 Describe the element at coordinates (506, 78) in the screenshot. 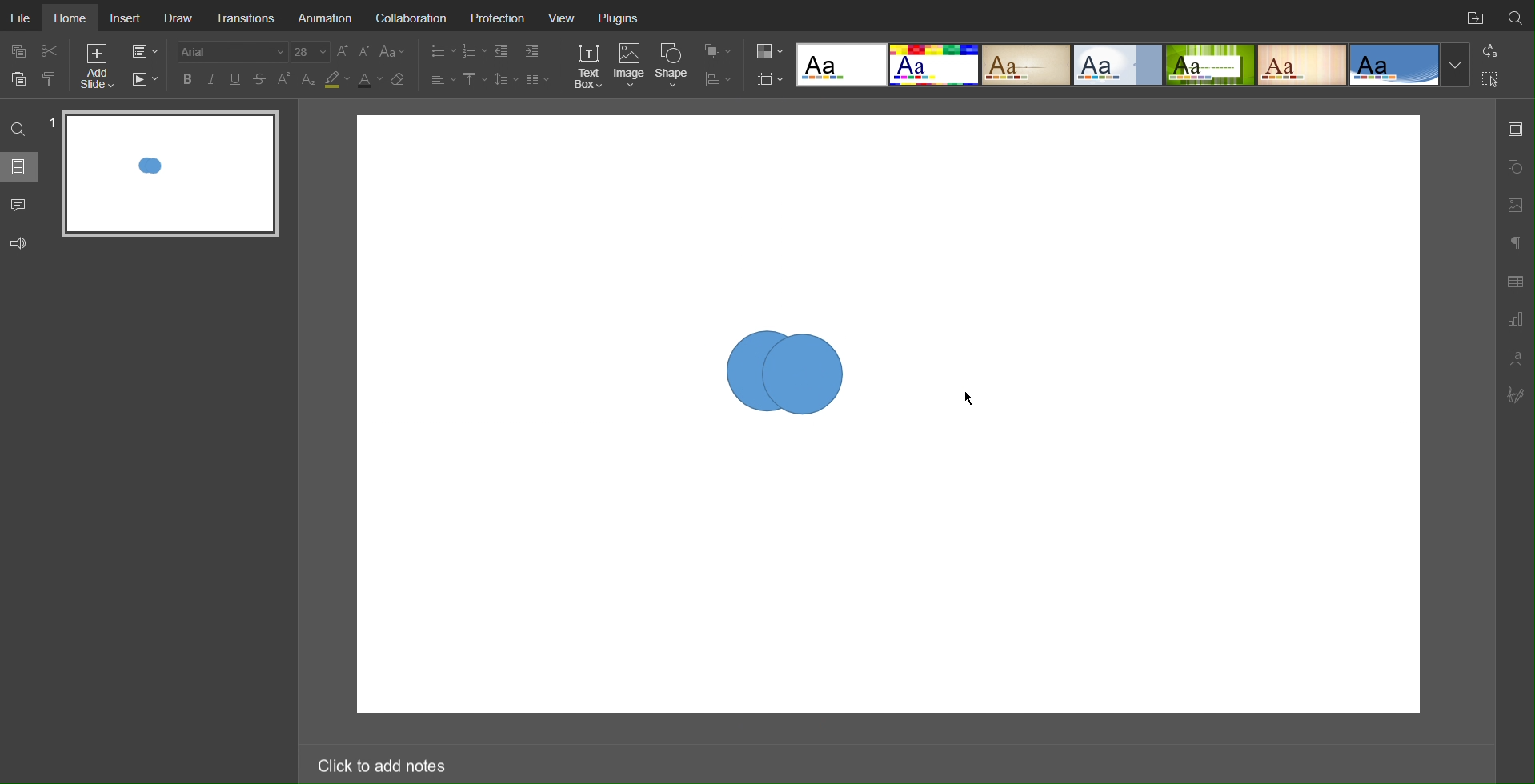

I see `Line Spacing` at that location.